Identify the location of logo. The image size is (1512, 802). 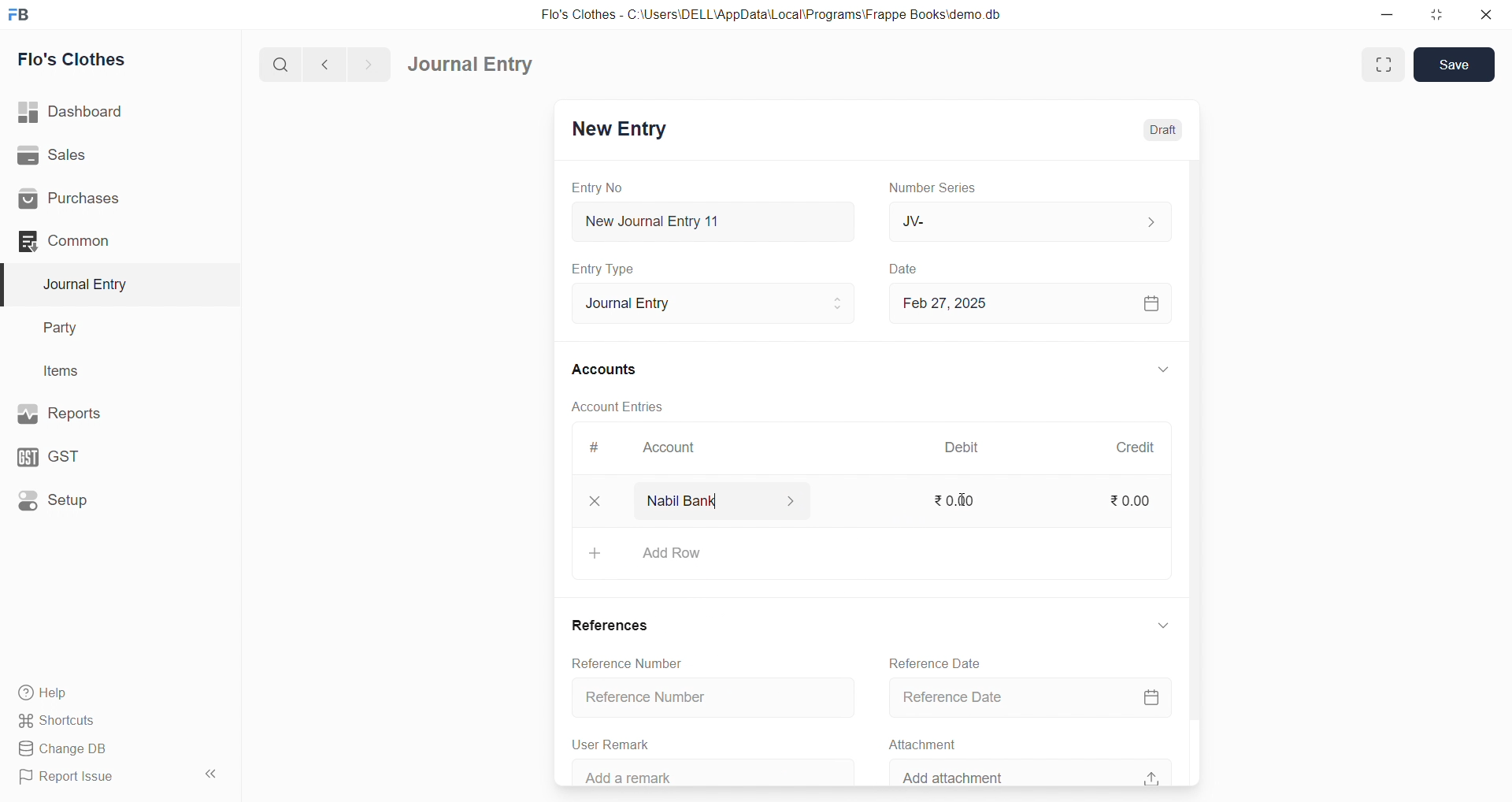
(24, 13).